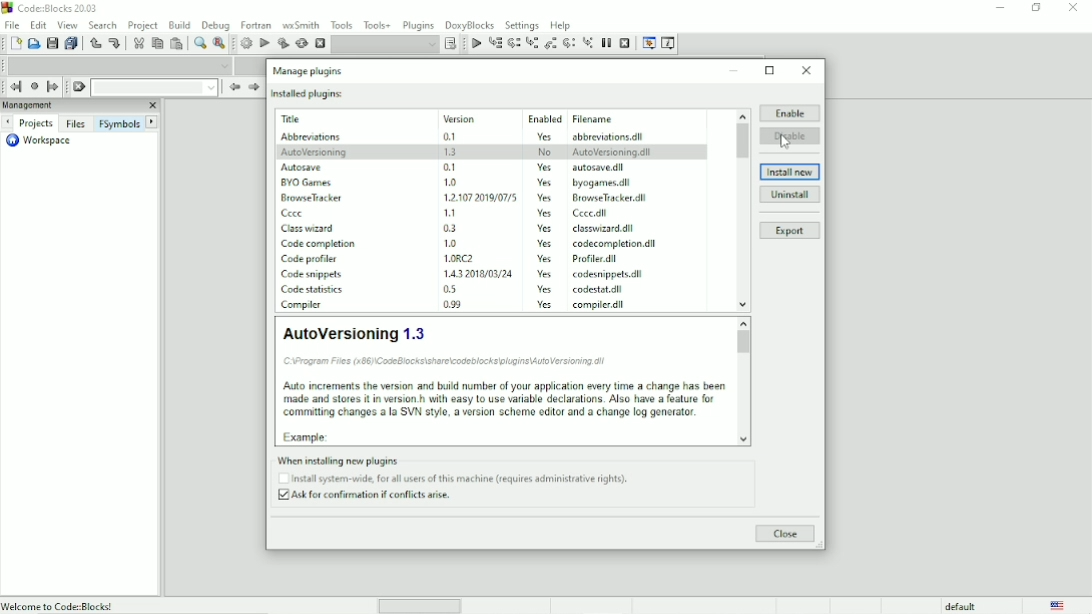 The width and height of the screenshot is (1092, 614). Describe the element at coordinates (1036, 8) in the screenshot. I see `Restore down` at that location.